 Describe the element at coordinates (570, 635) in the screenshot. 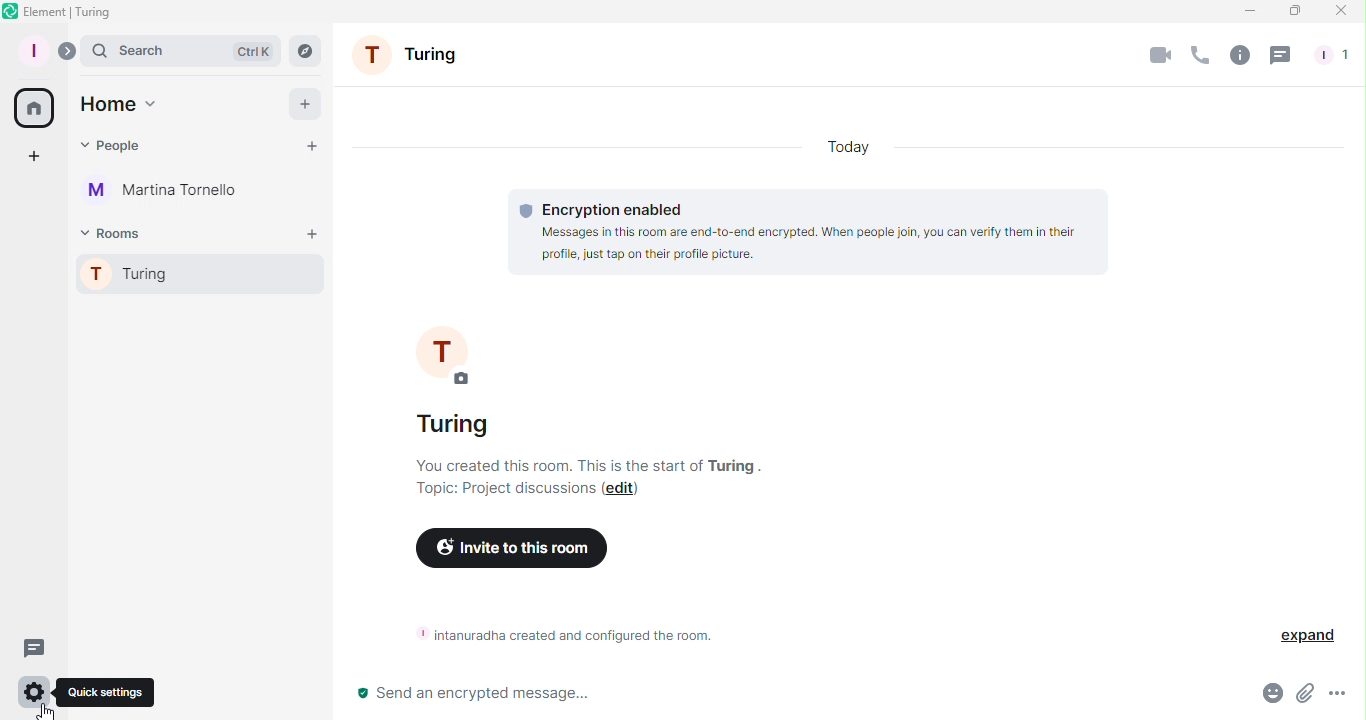

I see `Room information` at that location.